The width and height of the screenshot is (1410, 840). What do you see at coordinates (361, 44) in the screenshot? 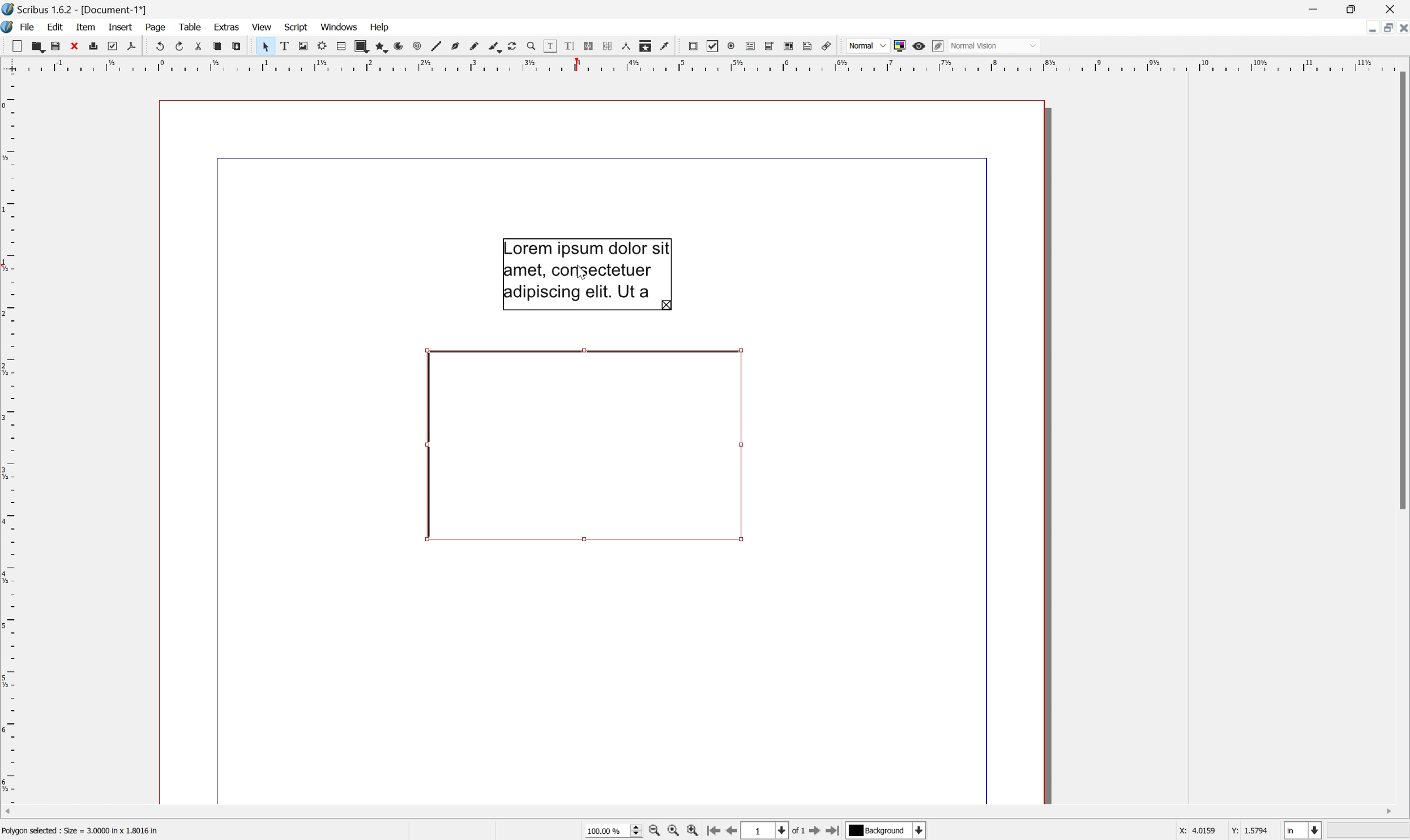
I see `Shape` at bounding box center [361, 44].